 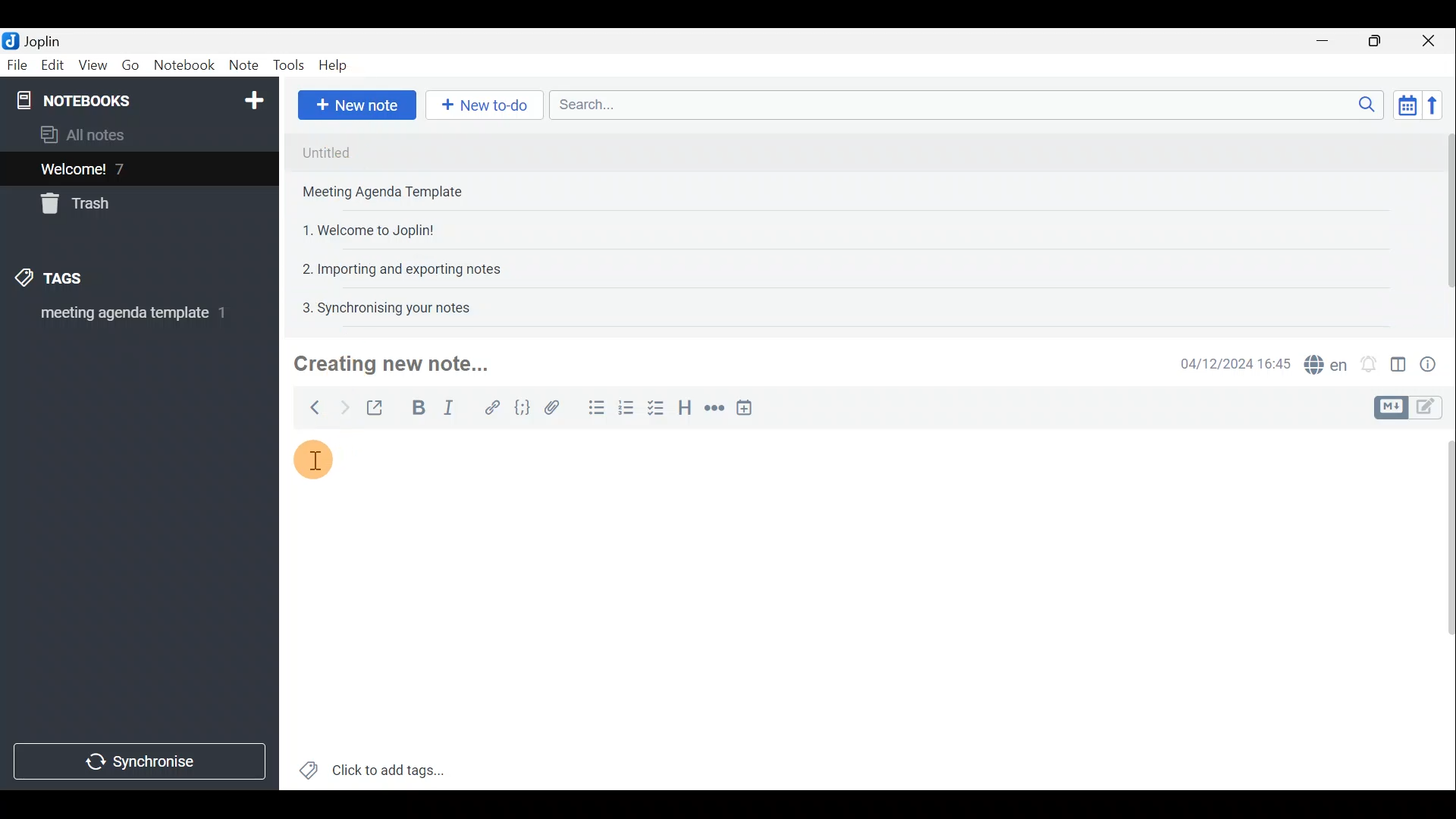 What do you see at coordinates (131, 65) in the screenshot?
I see `Go` at bounding box center [131, 65].